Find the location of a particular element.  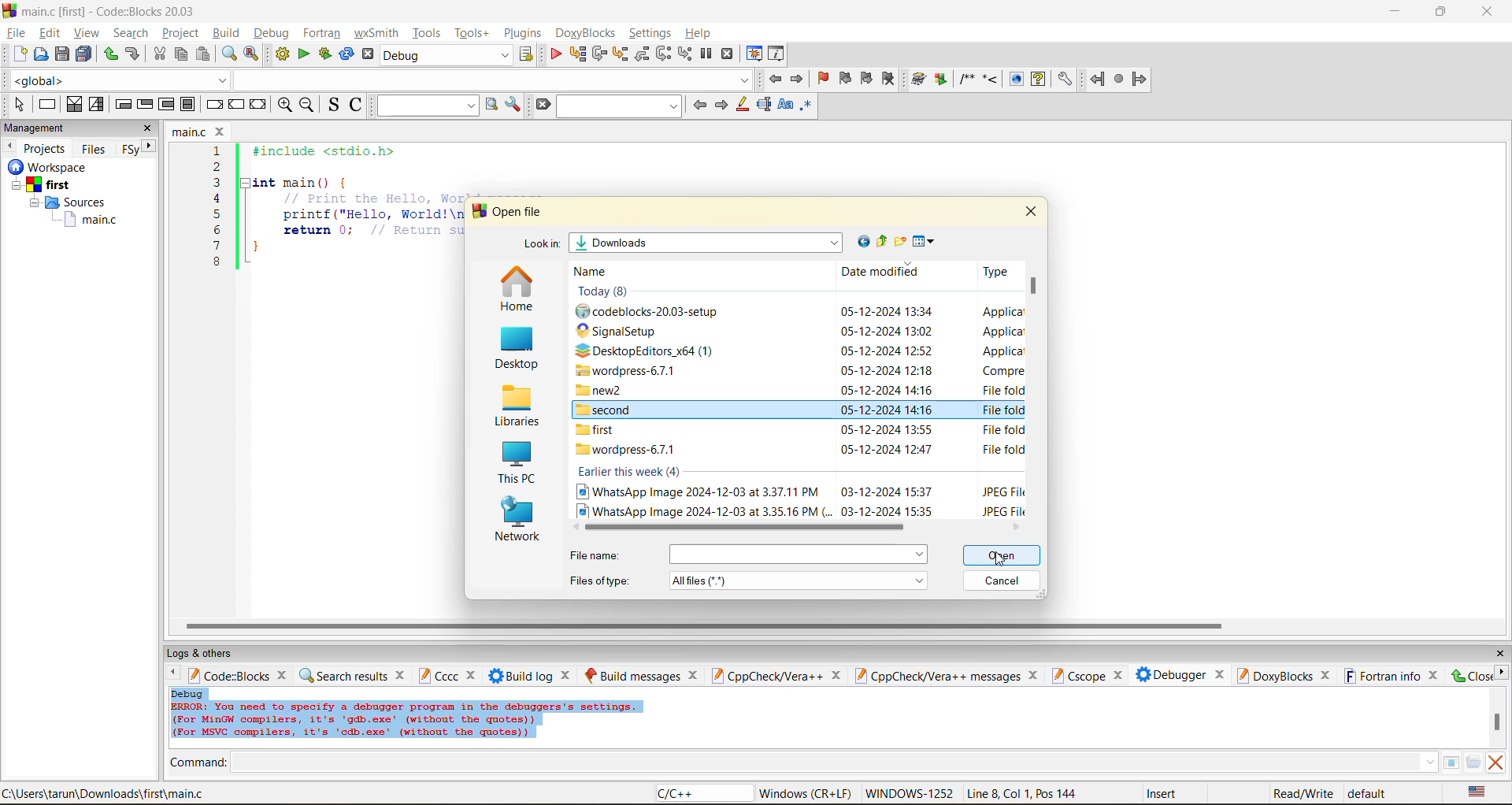

file location is located at coordinates (104, 793).